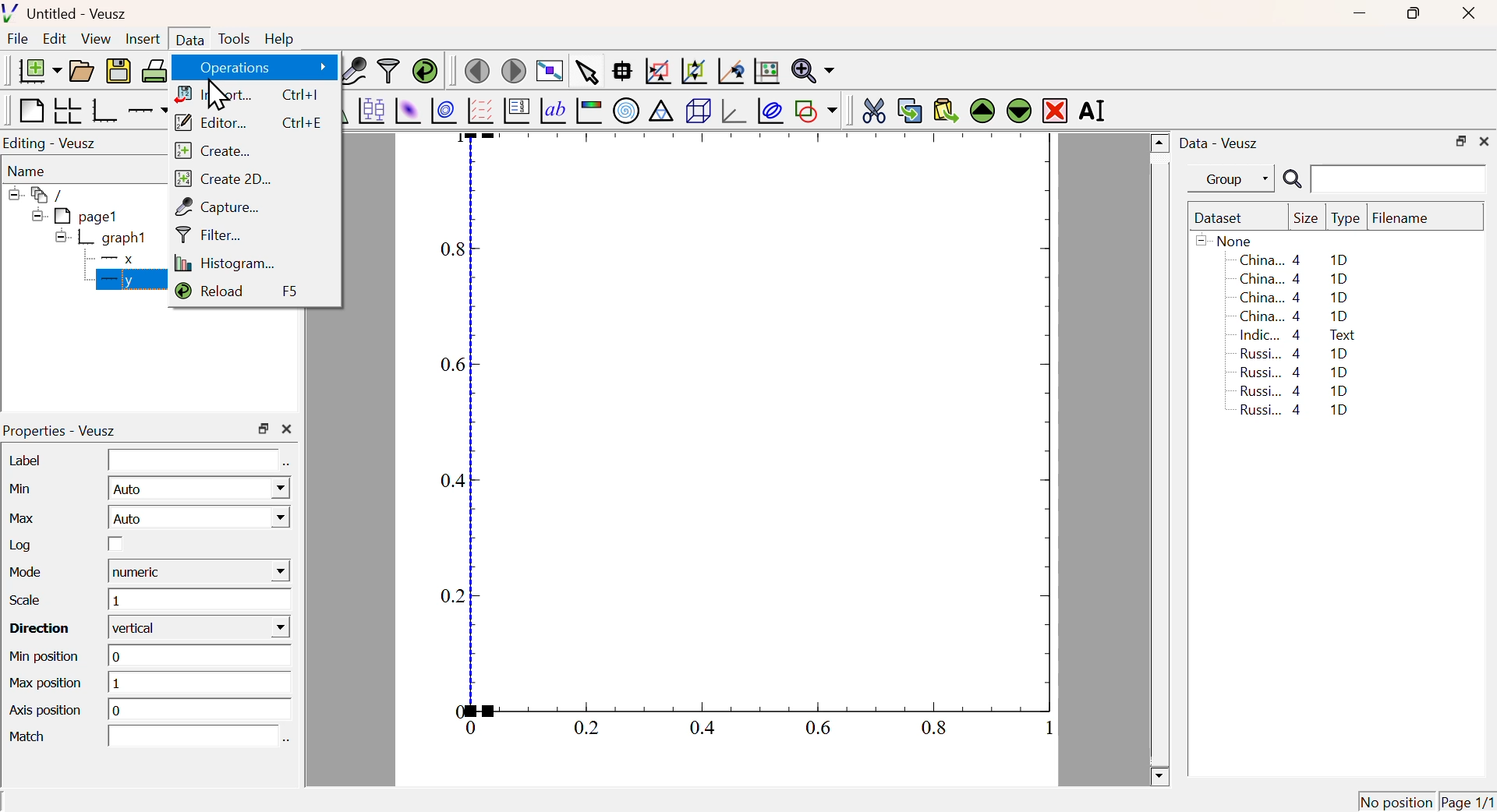  I want to click on Log, so click(23, 545).